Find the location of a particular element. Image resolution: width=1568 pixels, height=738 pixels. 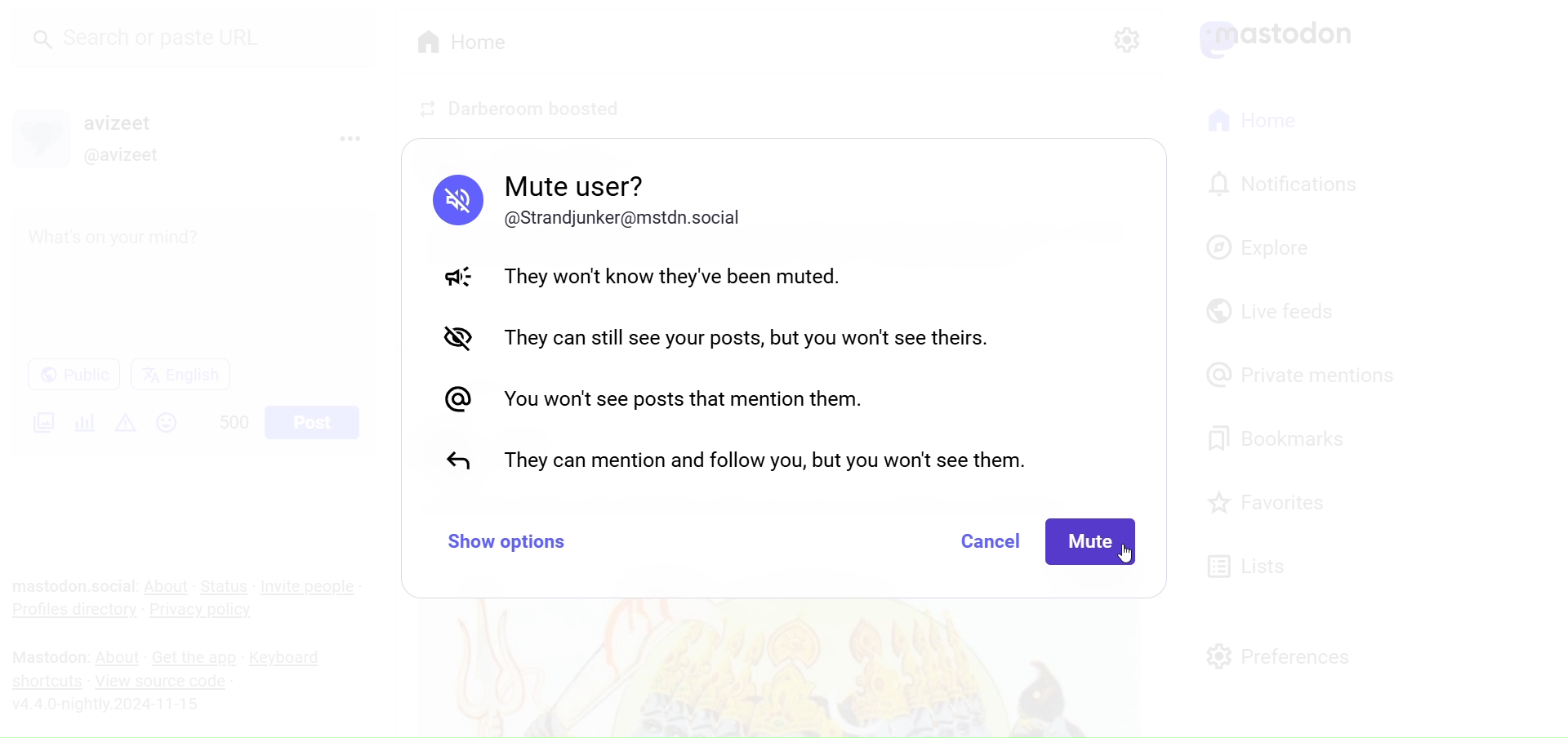

You wont see posts that mention them is located at coordinates (768, 397).